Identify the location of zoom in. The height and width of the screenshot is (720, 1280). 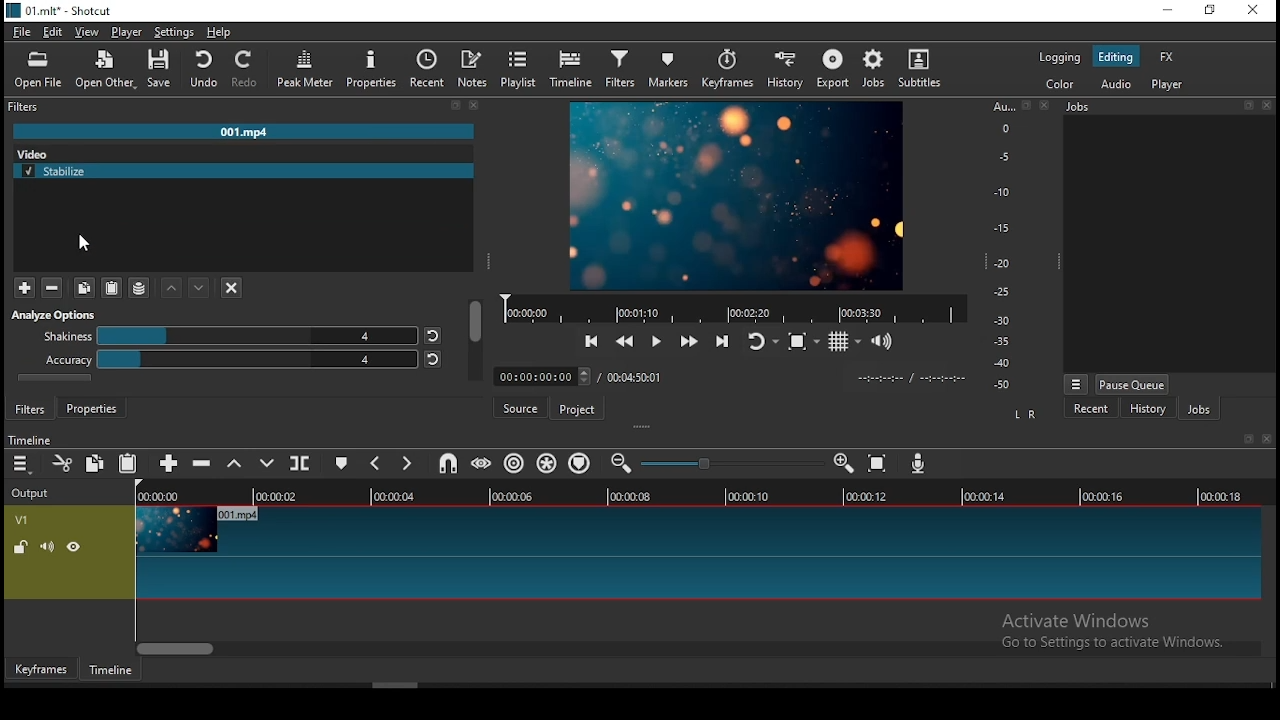
(25, 287).